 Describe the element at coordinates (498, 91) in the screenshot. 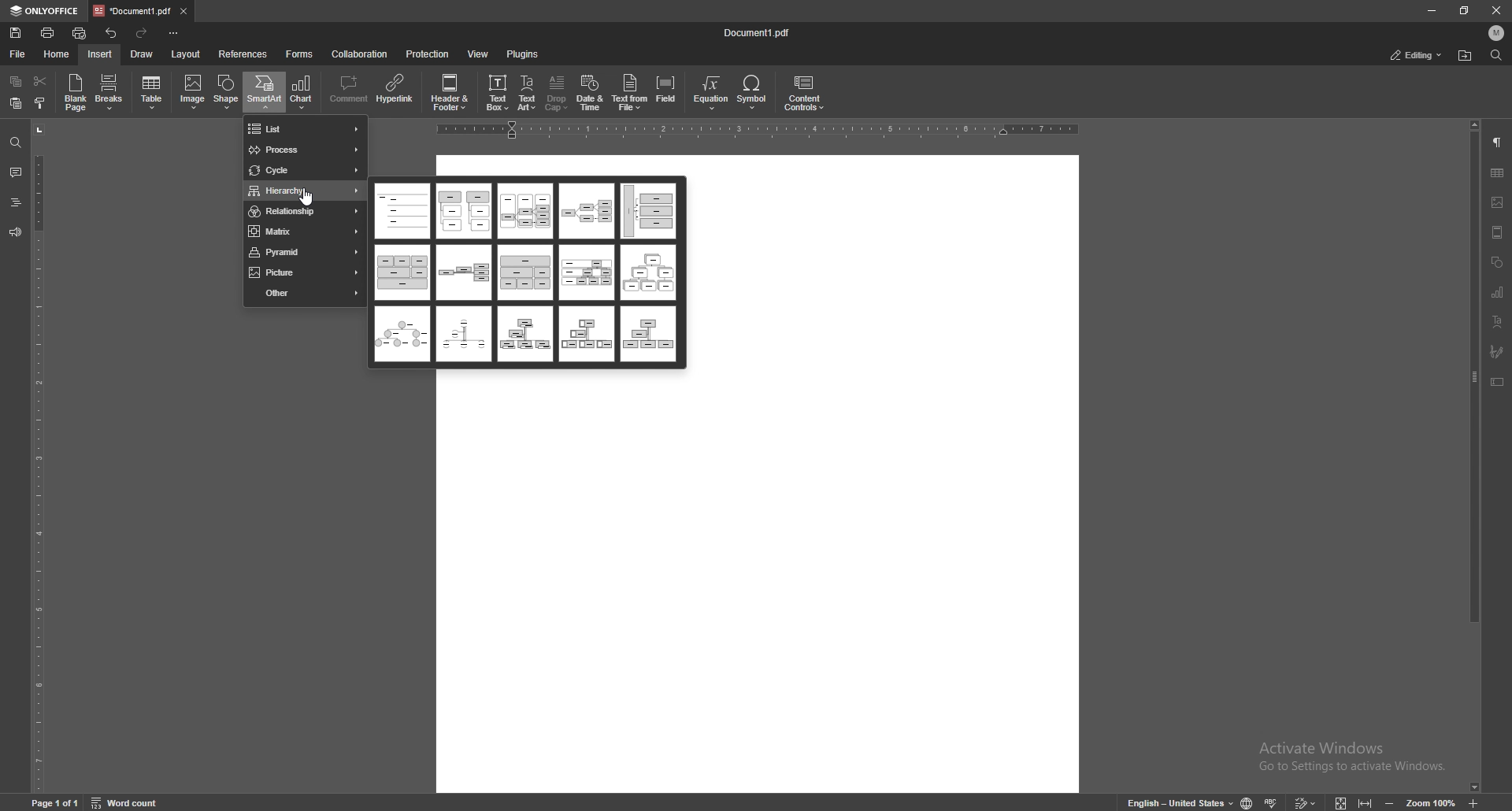

I see `text box` at that location.